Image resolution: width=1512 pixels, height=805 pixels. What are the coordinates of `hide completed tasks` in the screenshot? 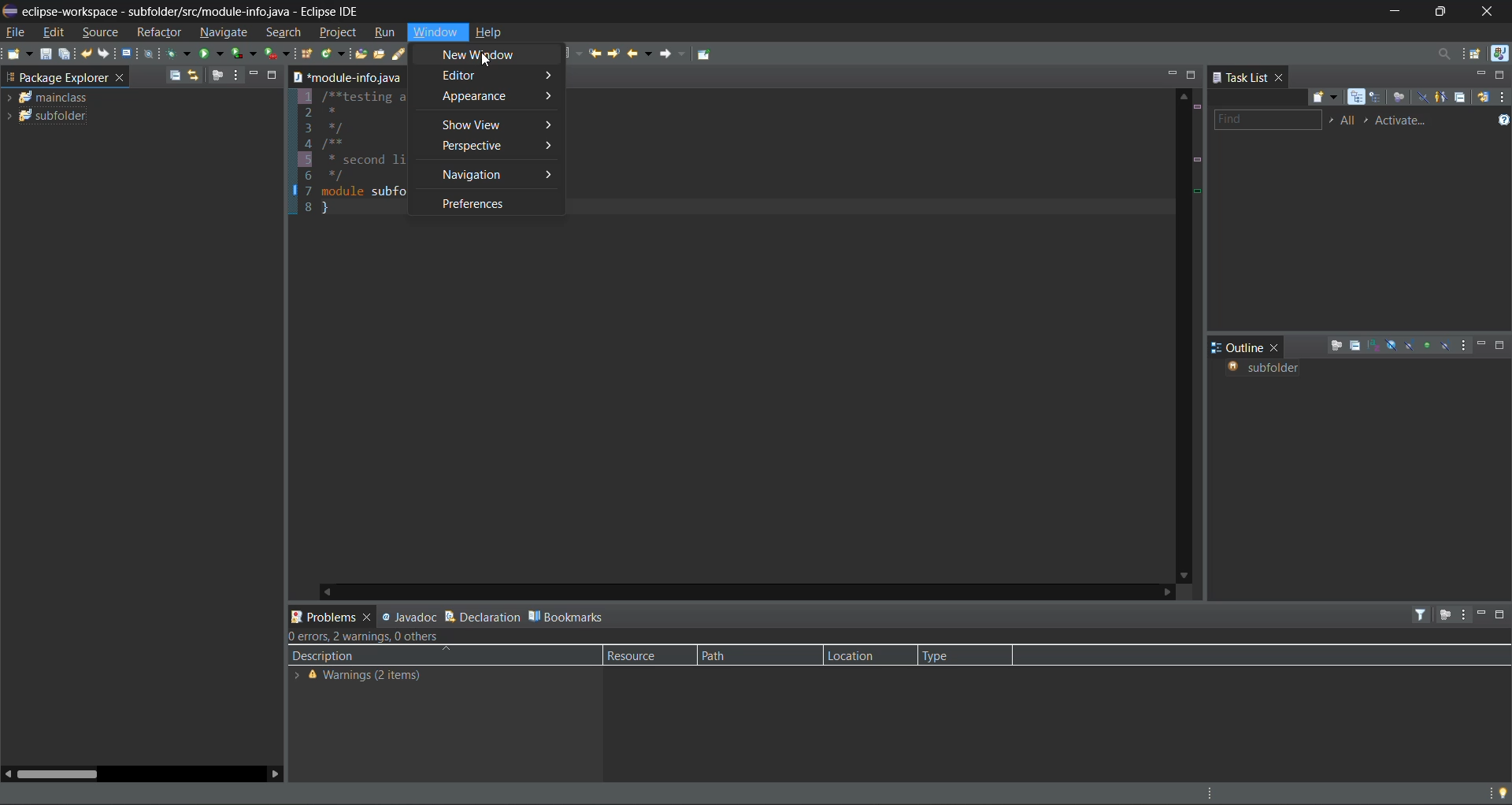 It's located at (1423, 98).